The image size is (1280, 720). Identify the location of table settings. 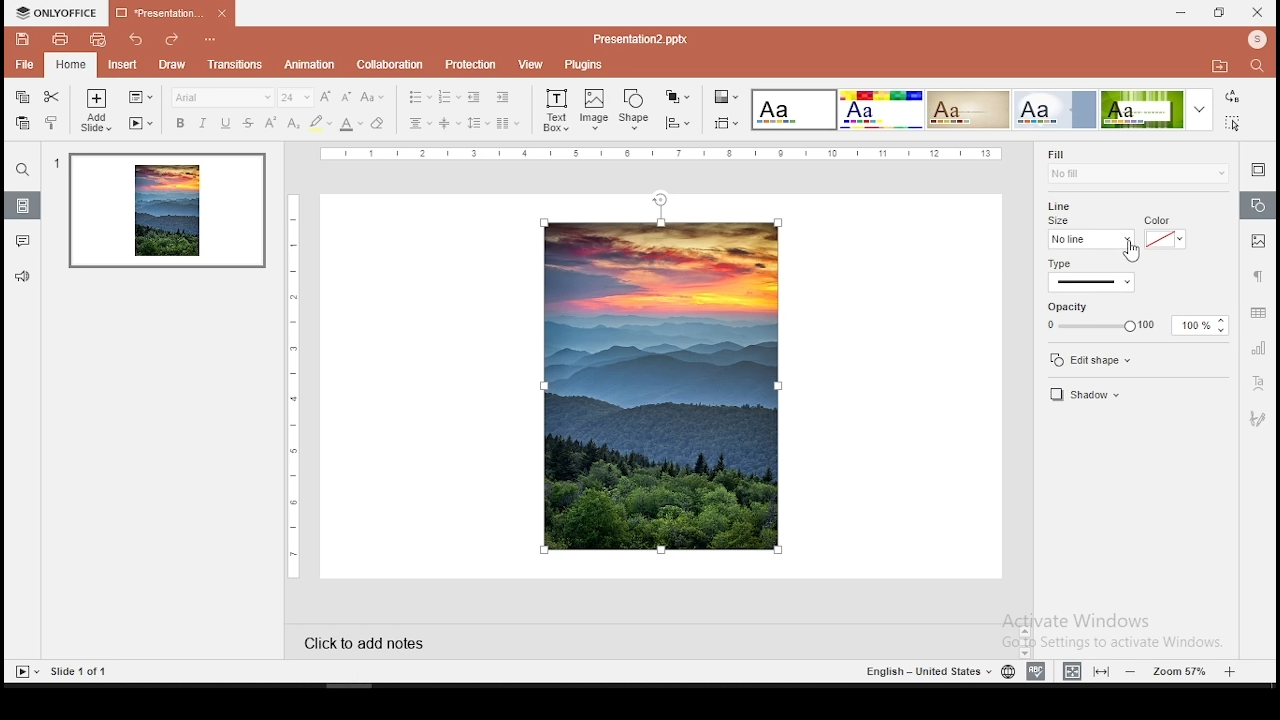
(1260, 314).